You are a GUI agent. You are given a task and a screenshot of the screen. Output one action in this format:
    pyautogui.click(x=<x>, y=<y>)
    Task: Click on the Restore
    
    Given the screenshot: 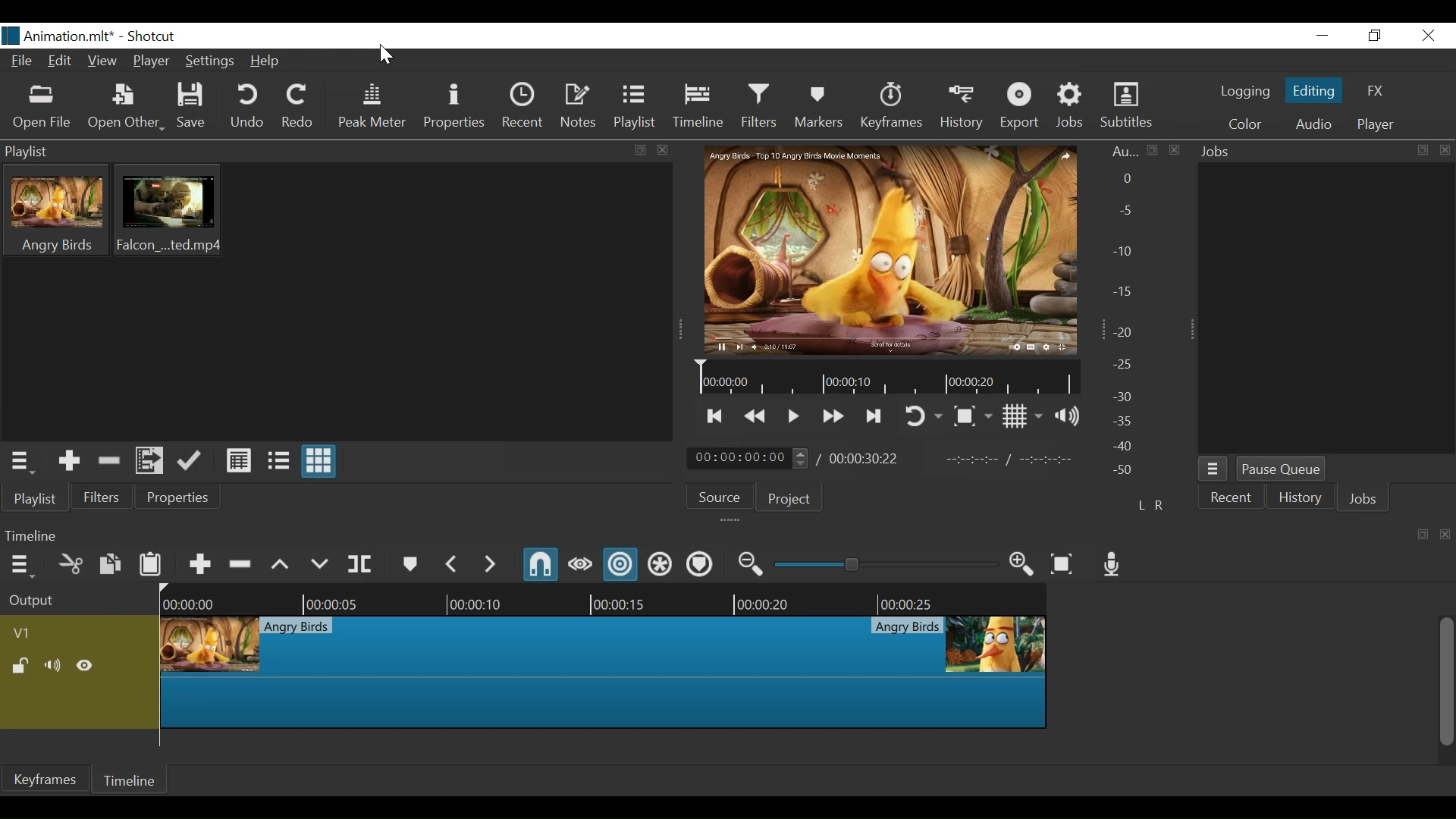 What is the action you would take?
    pyautogui.click(x=1375, y=36)
    